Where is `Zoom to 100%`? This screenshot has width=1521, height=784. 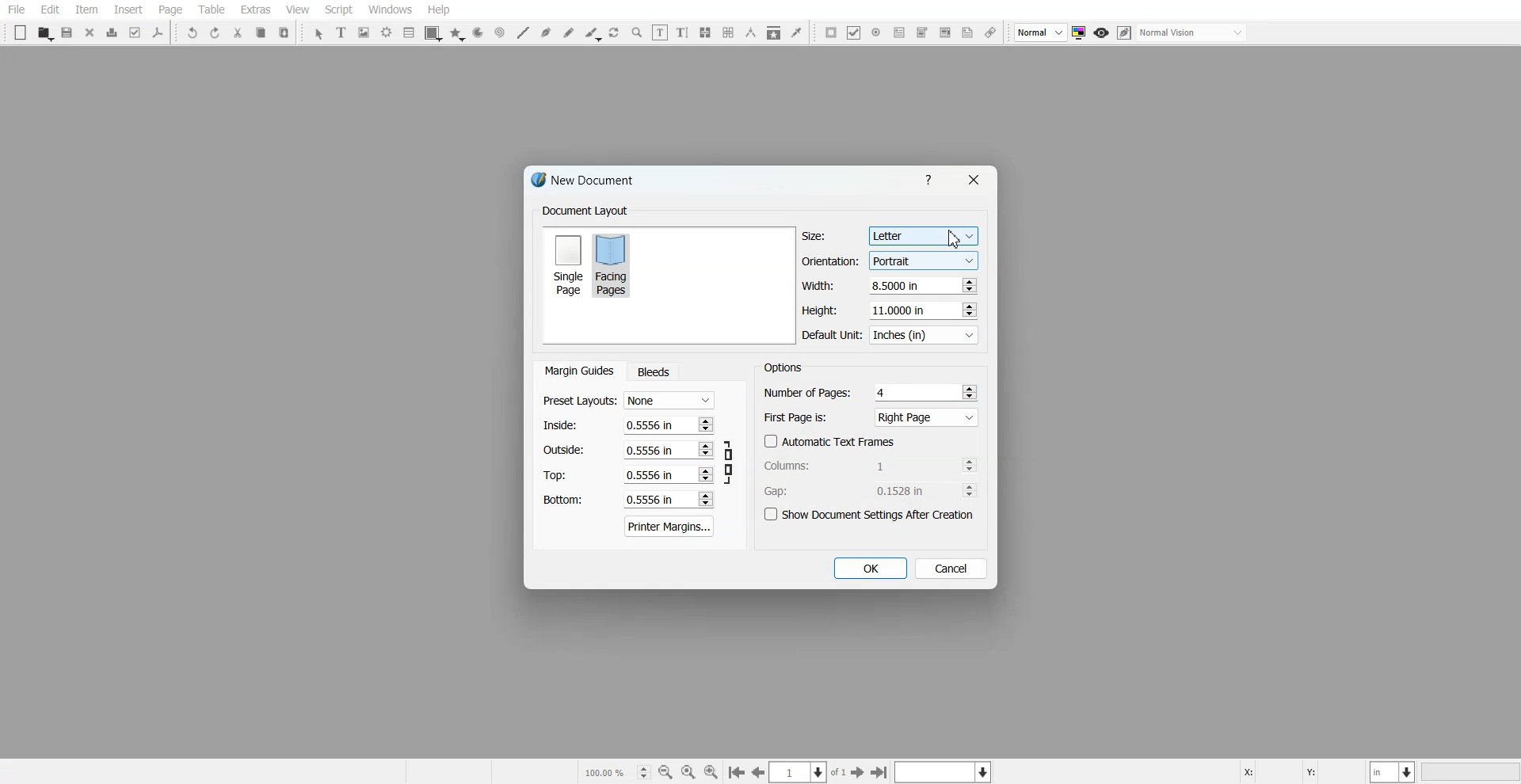 Zoom to 100% is located at coordinates (688, 771).